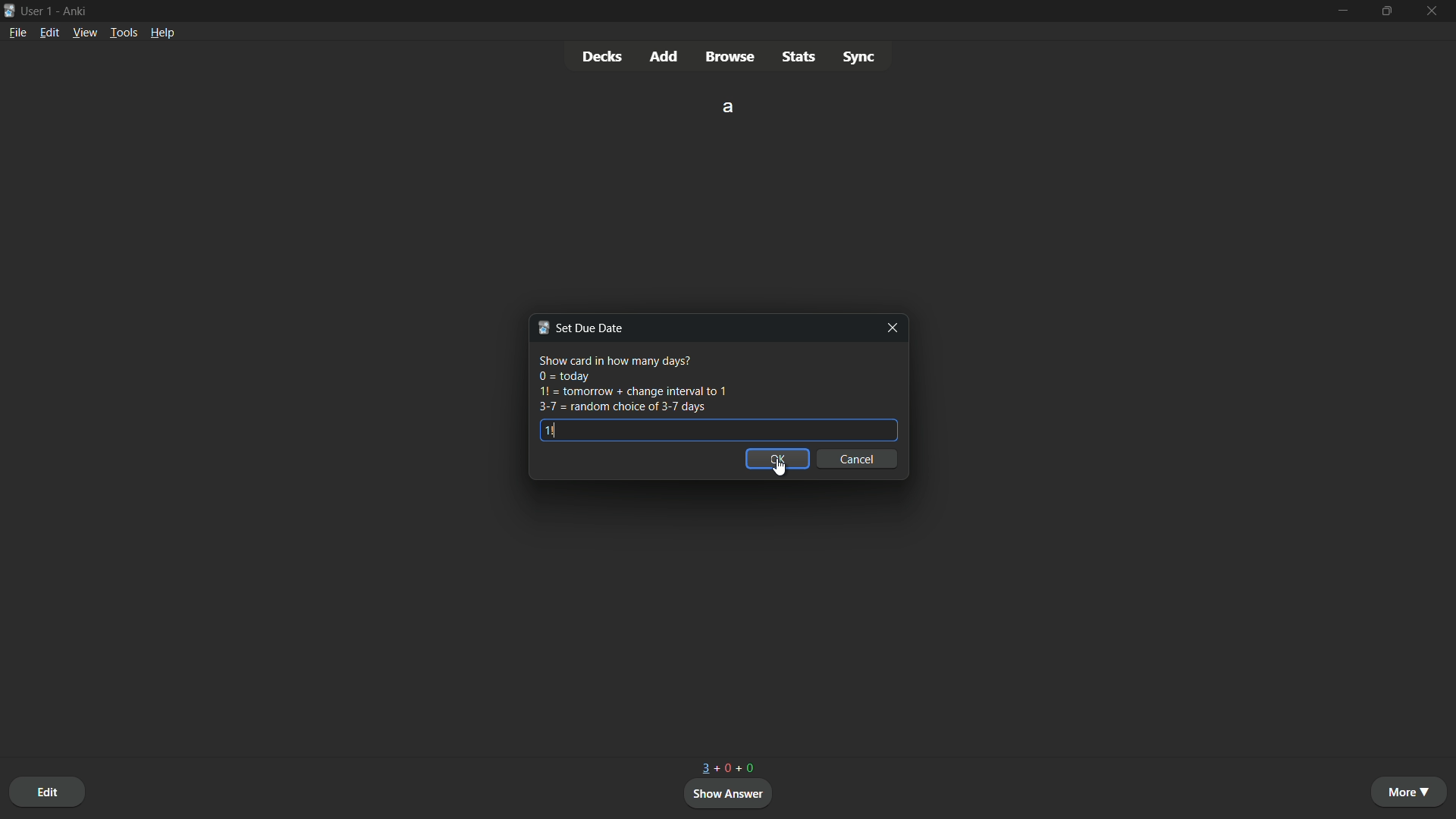  What do you see at coordinates (776, 460) in the screenshot?
I see `ok` at bounding box center [776, 460].